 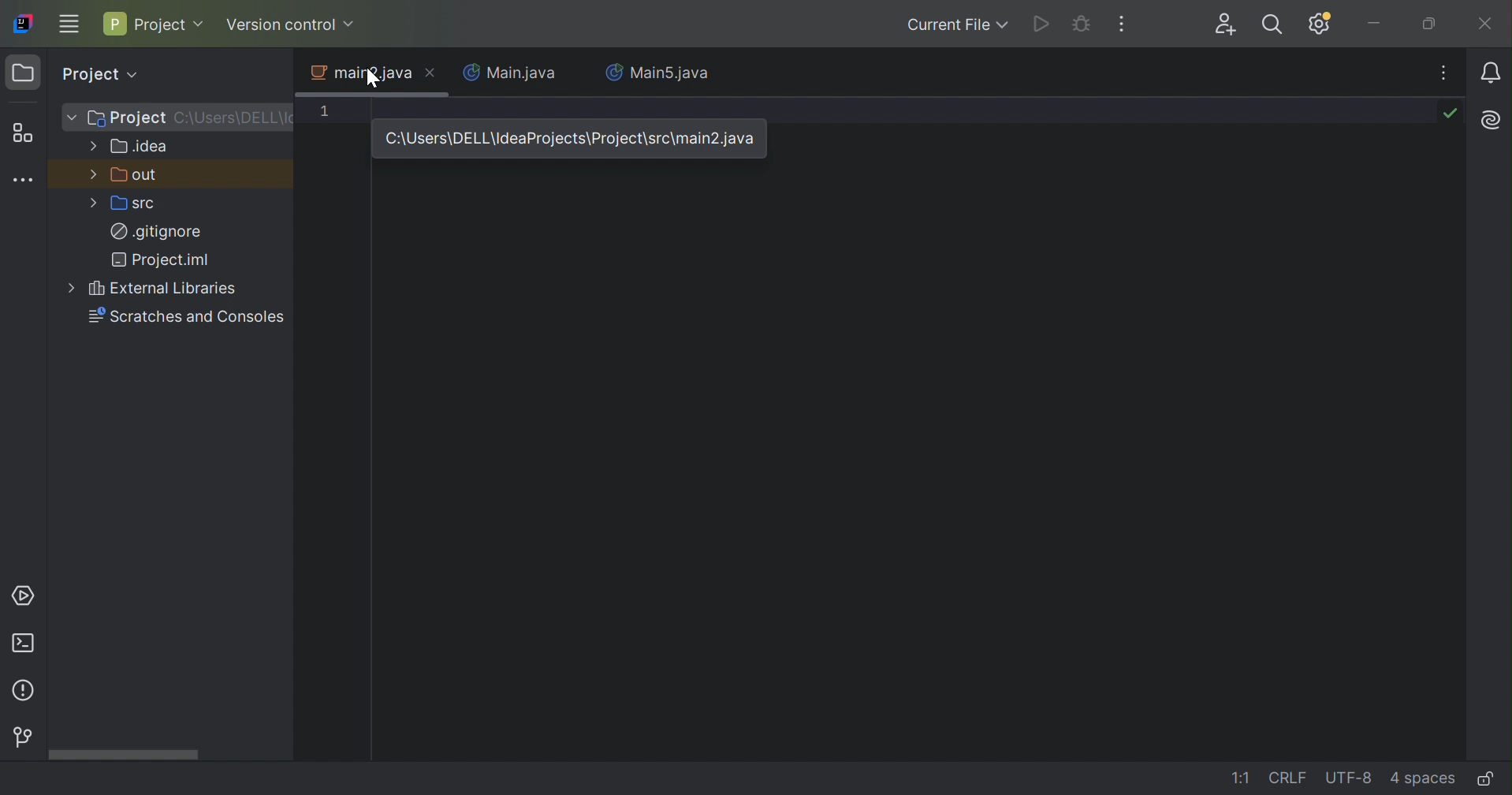 I want to click on AI Assistant, so click(x=1491, y=123).